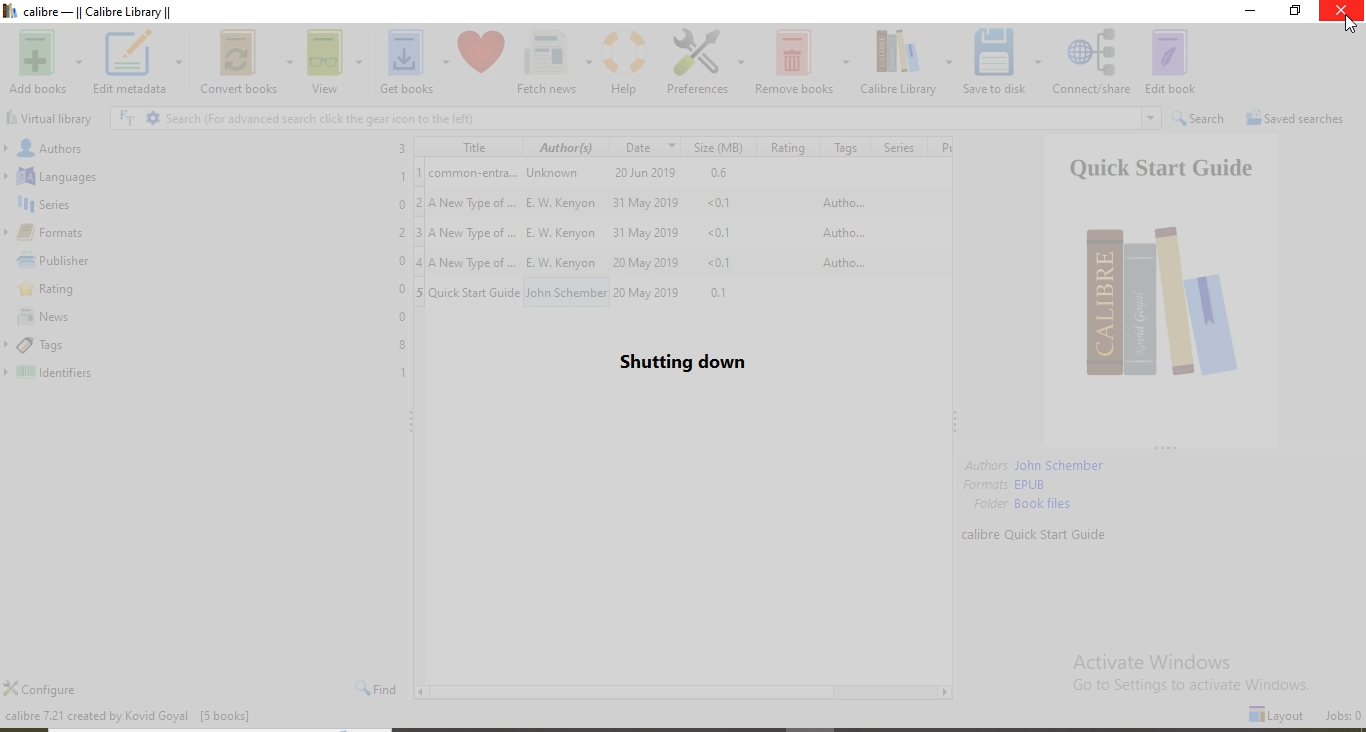 Image resolution: width=1366 pixels, height=732 pixels. What do you see at coordinates (1007, 484) in the screenshot?
I see `Formats EPUB` at bounding box center [1007, 484].